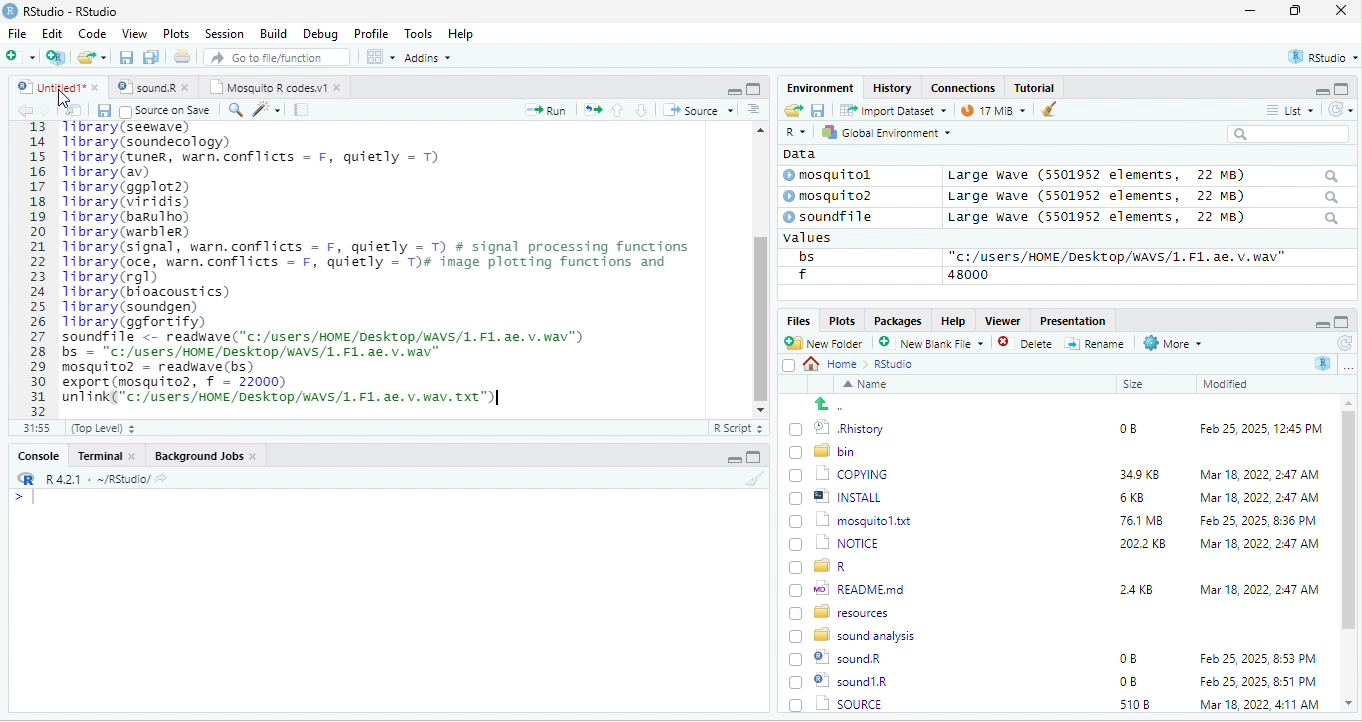 This screenshot has width=1362, height=722. Describe the element at coordinates (795, 320) in the screenshot. I see `Files` at that location.